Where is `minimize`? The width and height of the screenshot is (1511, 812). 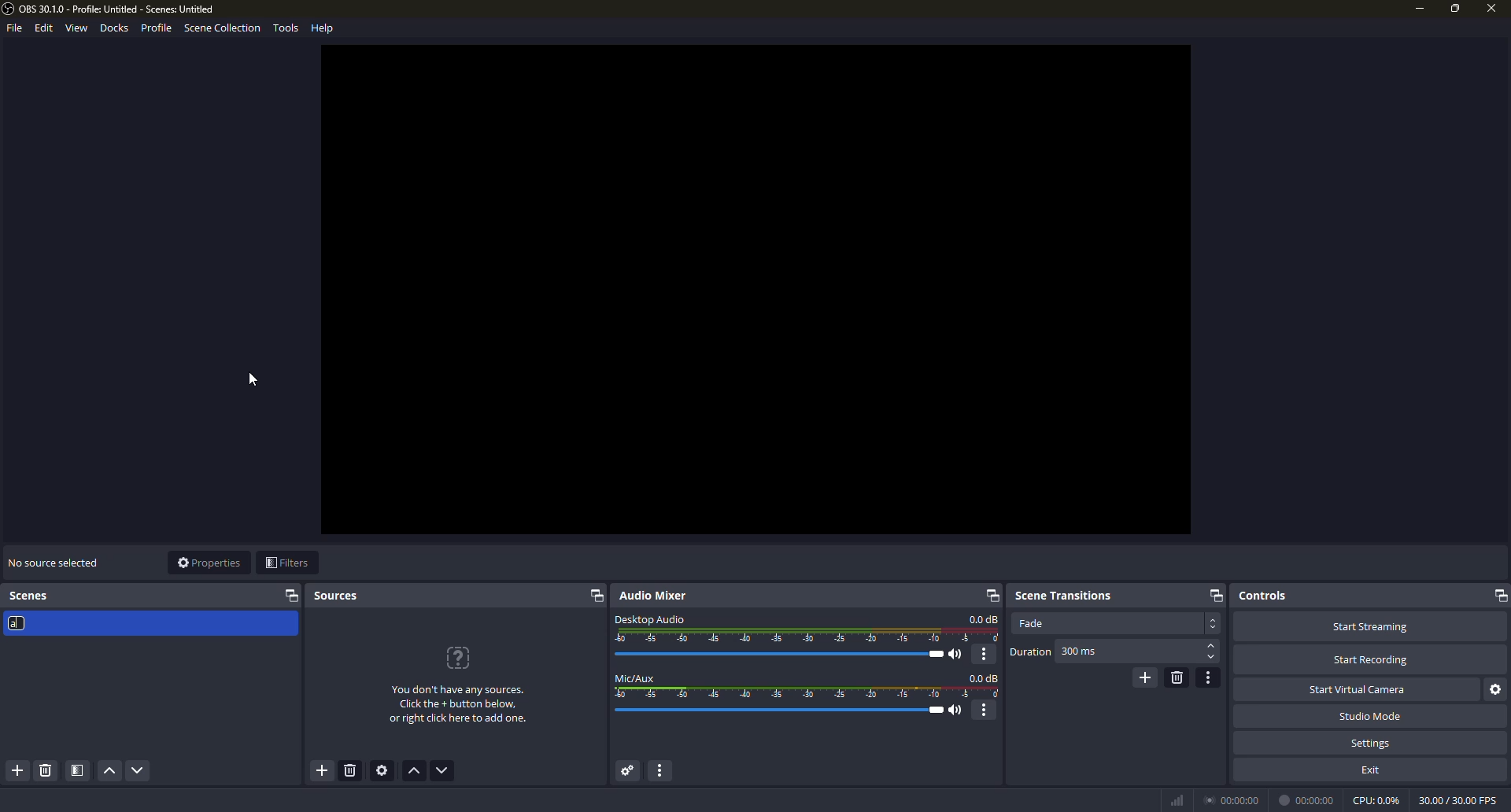 minimize is located at coordinates (1418, 9).